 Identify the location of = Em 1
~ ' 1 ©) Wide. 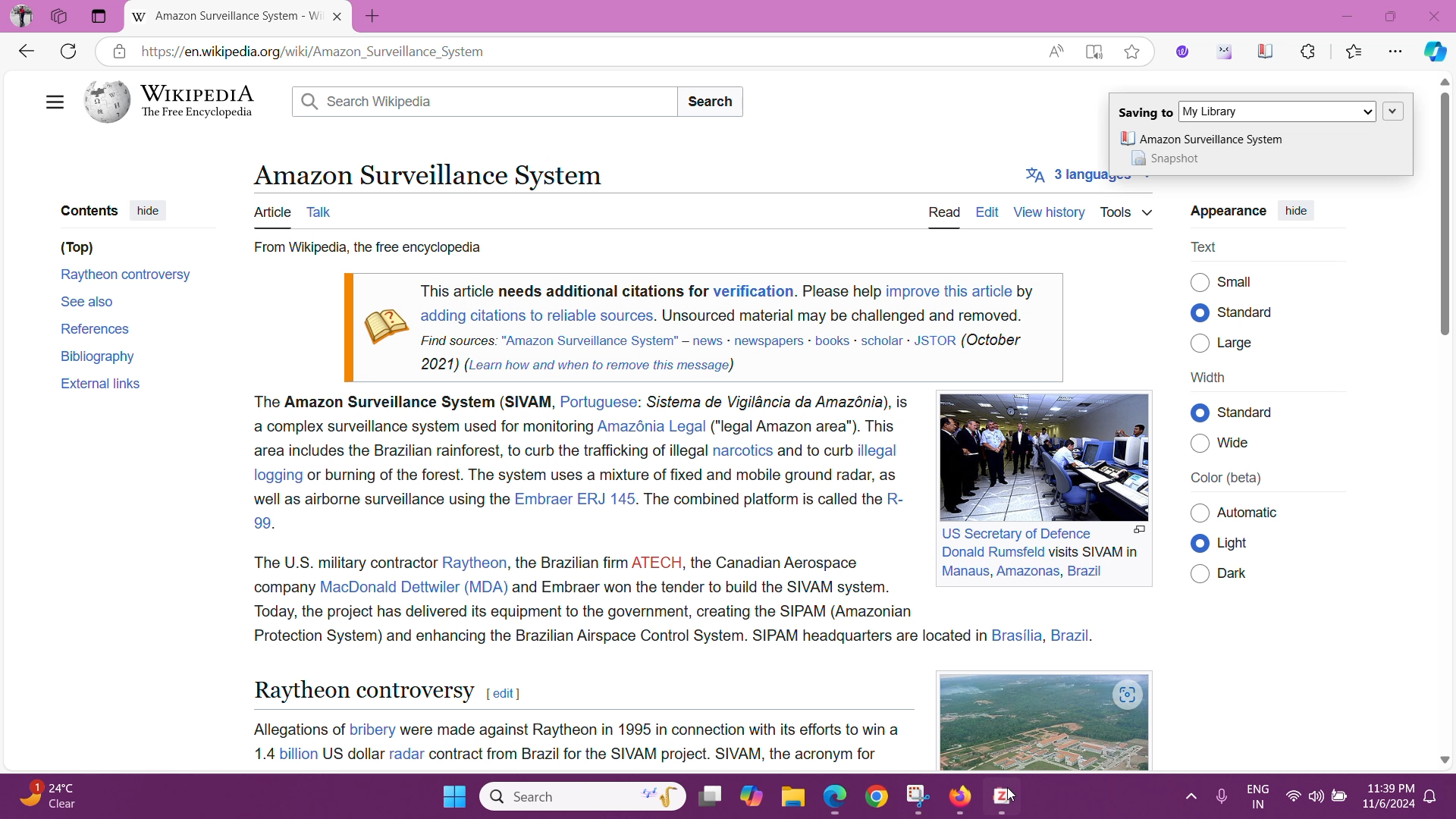
(1241, 447).